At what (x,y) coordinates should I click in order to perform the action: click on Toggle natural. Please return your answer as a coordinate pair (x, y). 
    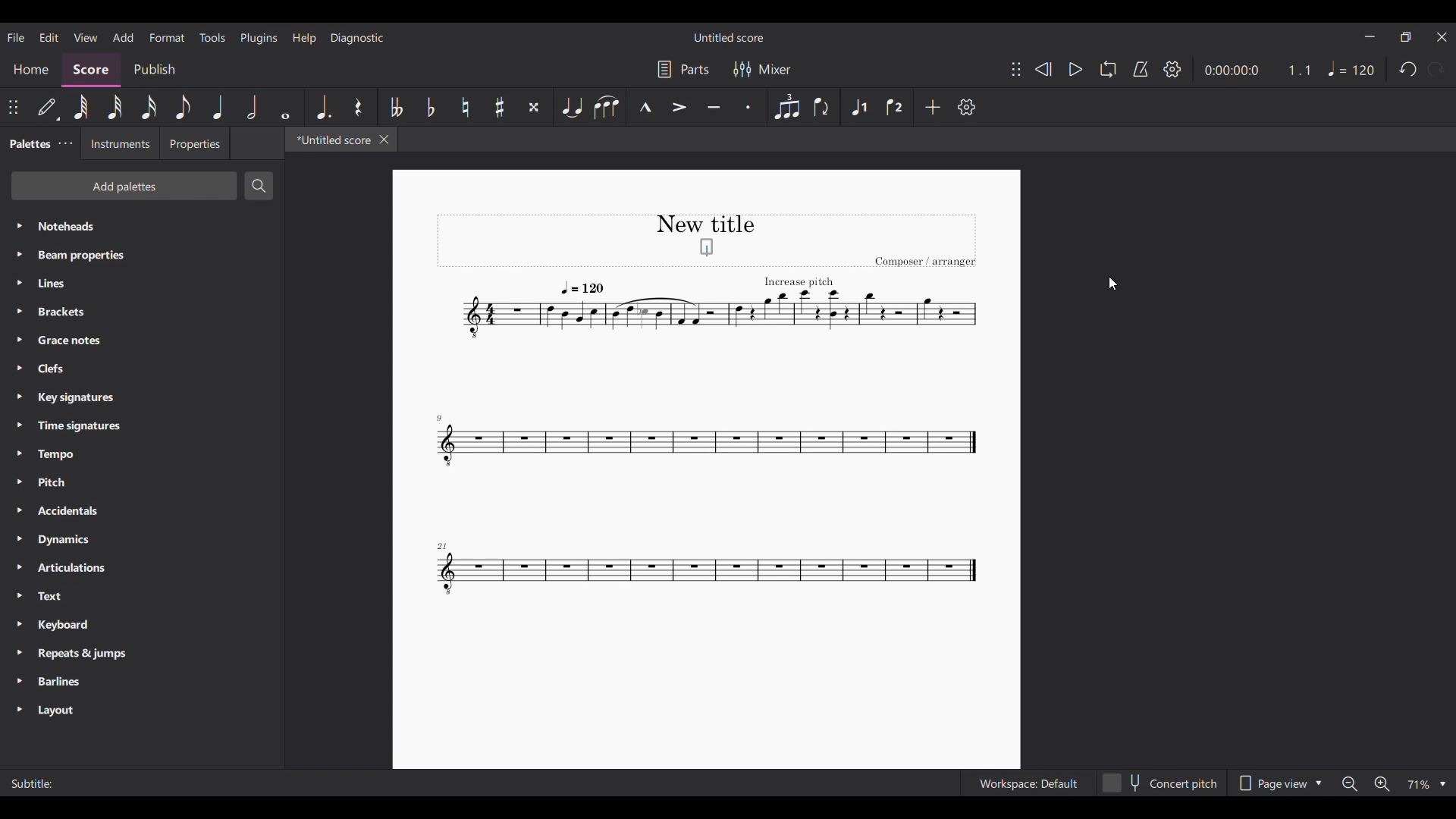
    Looking at the image, I should click on (465, 107).